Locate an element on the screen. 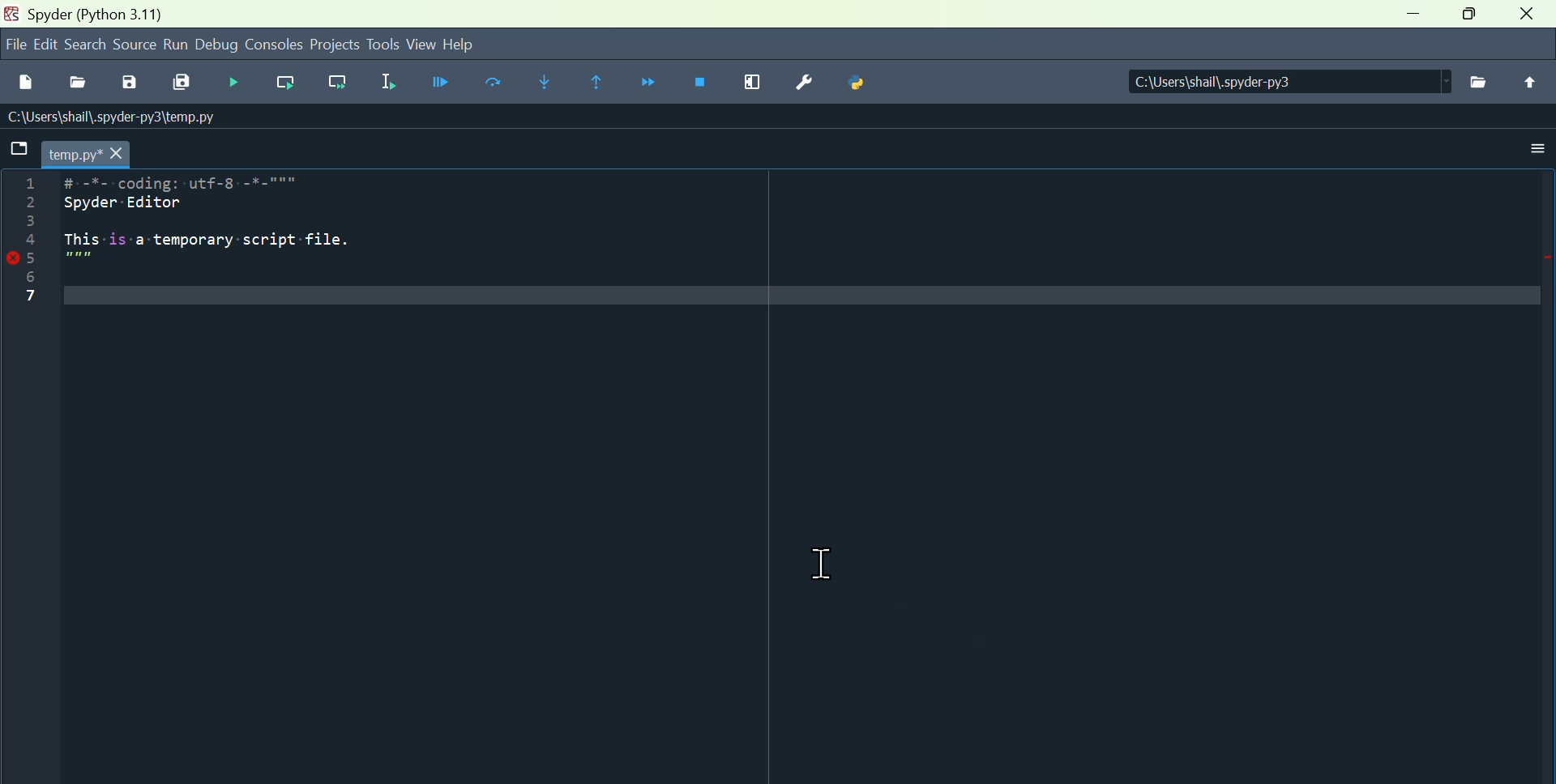 This screenshot has height=784, width=1556. Spyder logo is located at coordinates (10, 14).